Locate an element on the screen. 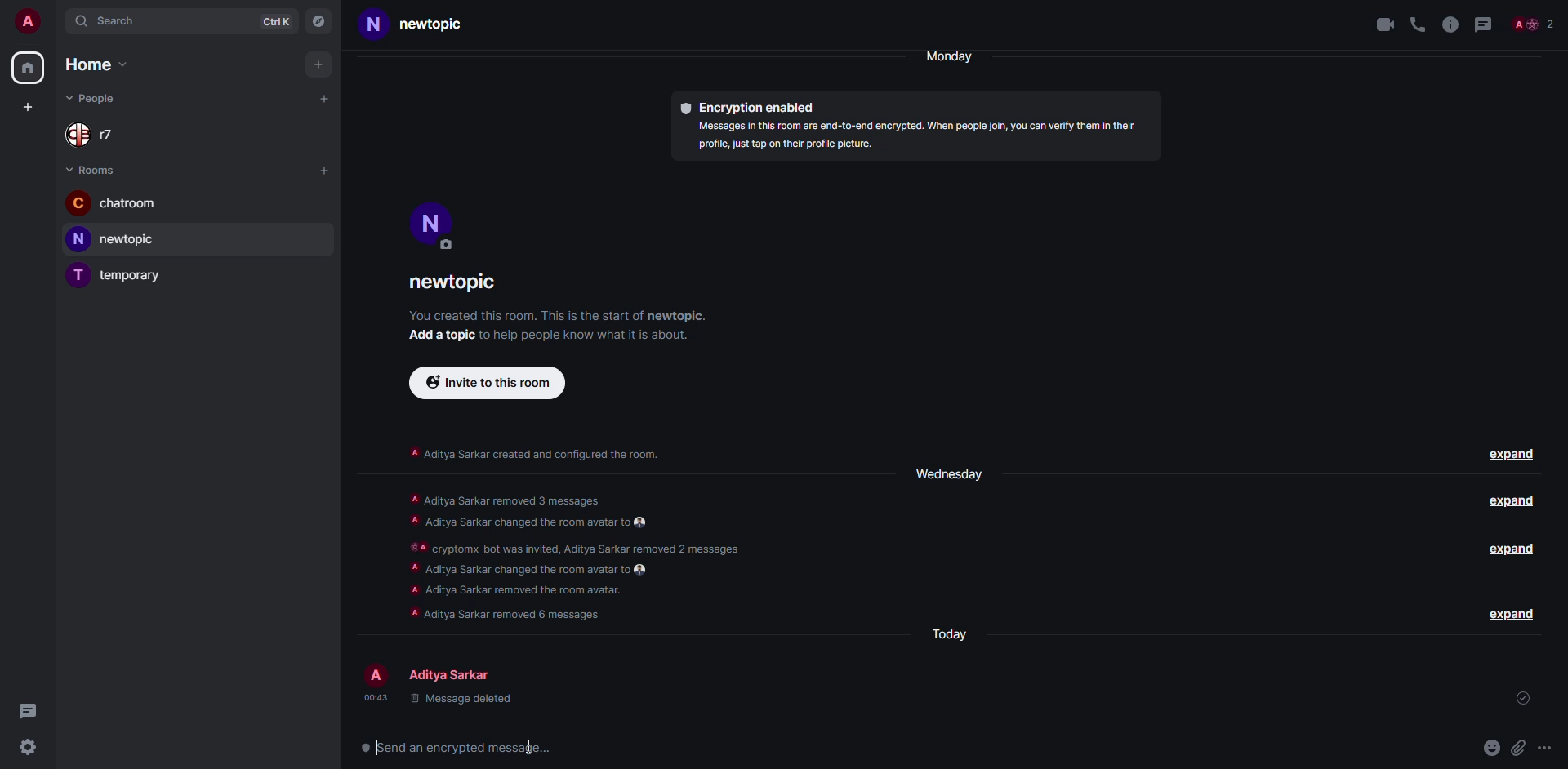  day is located at coordinates (956, 56).